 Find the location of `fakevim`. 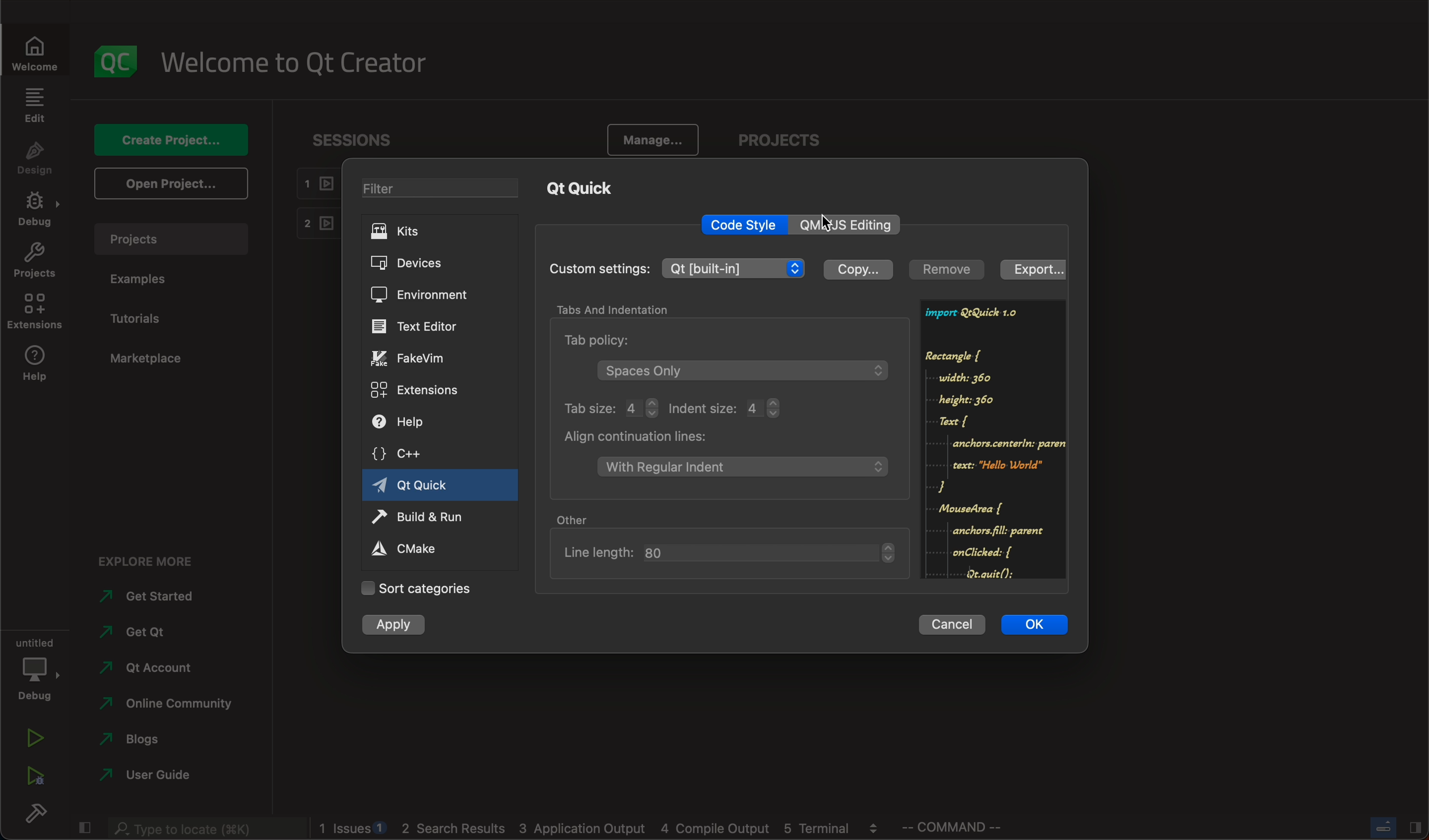

fakevim is located at coordinates (416, 360).